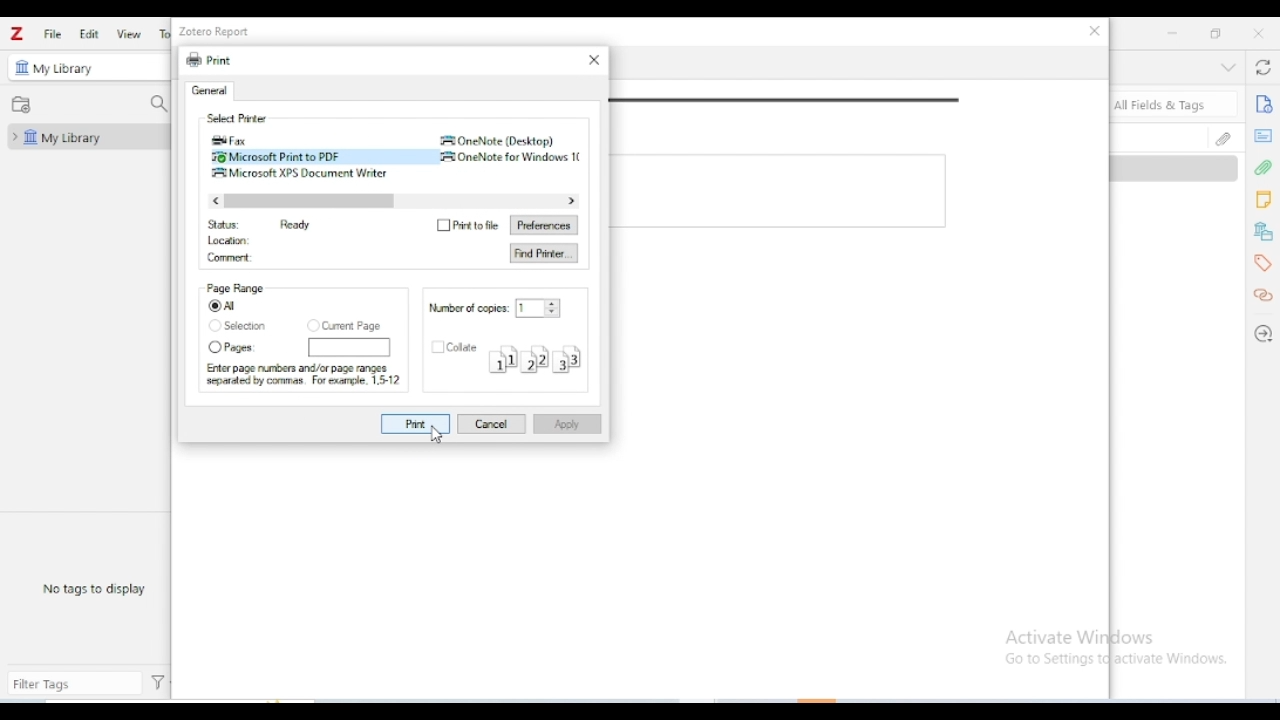 The height and width of the screenshot is (720, 1280). I want to click on collate structure, so click(535, 360).